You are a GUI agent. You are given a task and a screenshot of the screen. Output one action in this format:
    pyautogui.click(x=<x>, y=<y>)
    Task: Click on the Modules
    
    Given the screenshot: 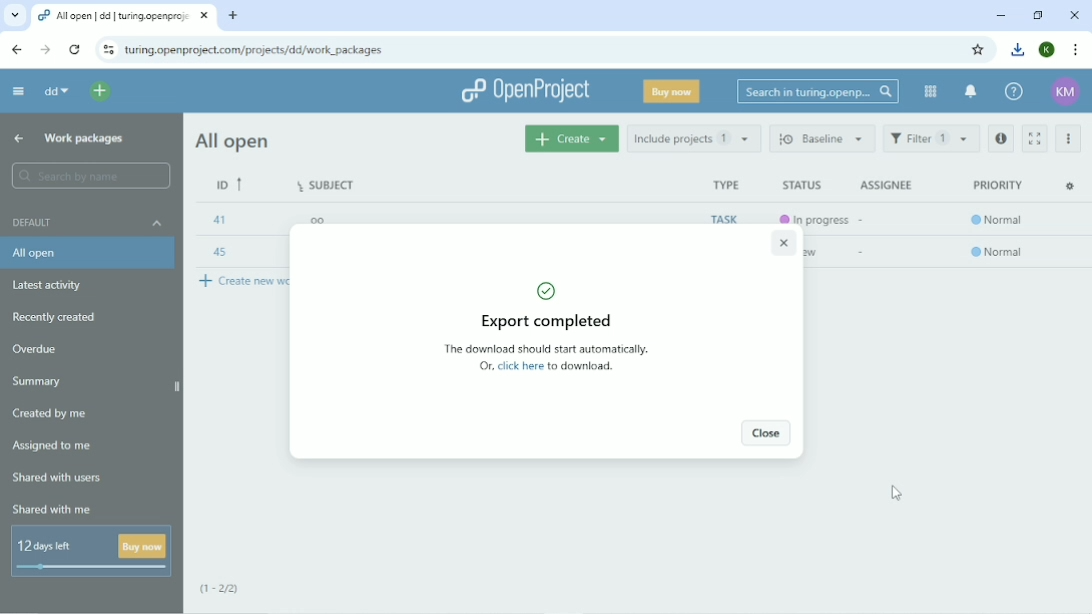 What is the action you would take?
    pyautogui.click(x=929, y=91)
    